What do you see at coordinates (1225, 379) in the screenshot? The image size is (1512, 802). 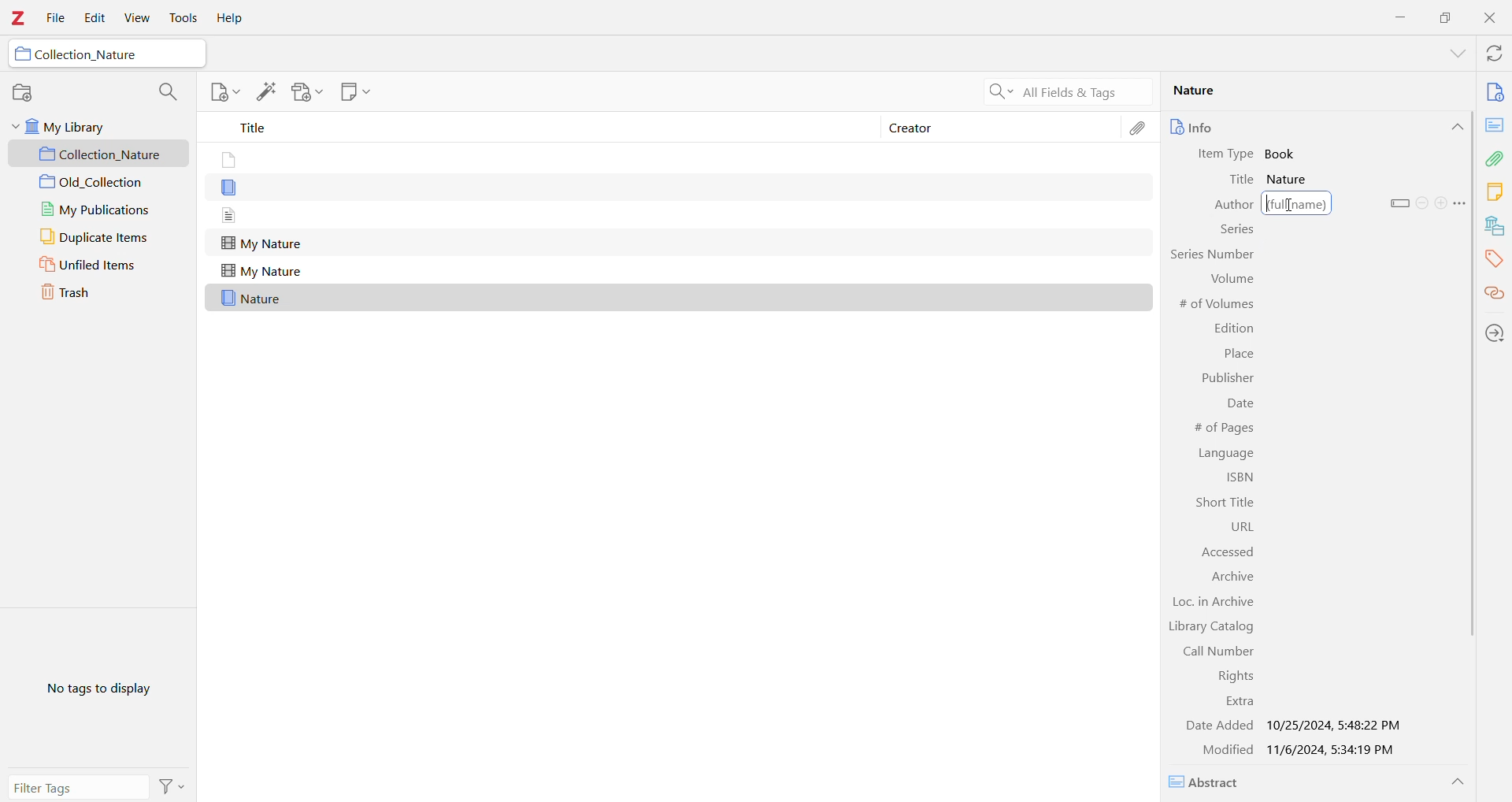 I see `Publisher` at bounding box center [1225, 379].